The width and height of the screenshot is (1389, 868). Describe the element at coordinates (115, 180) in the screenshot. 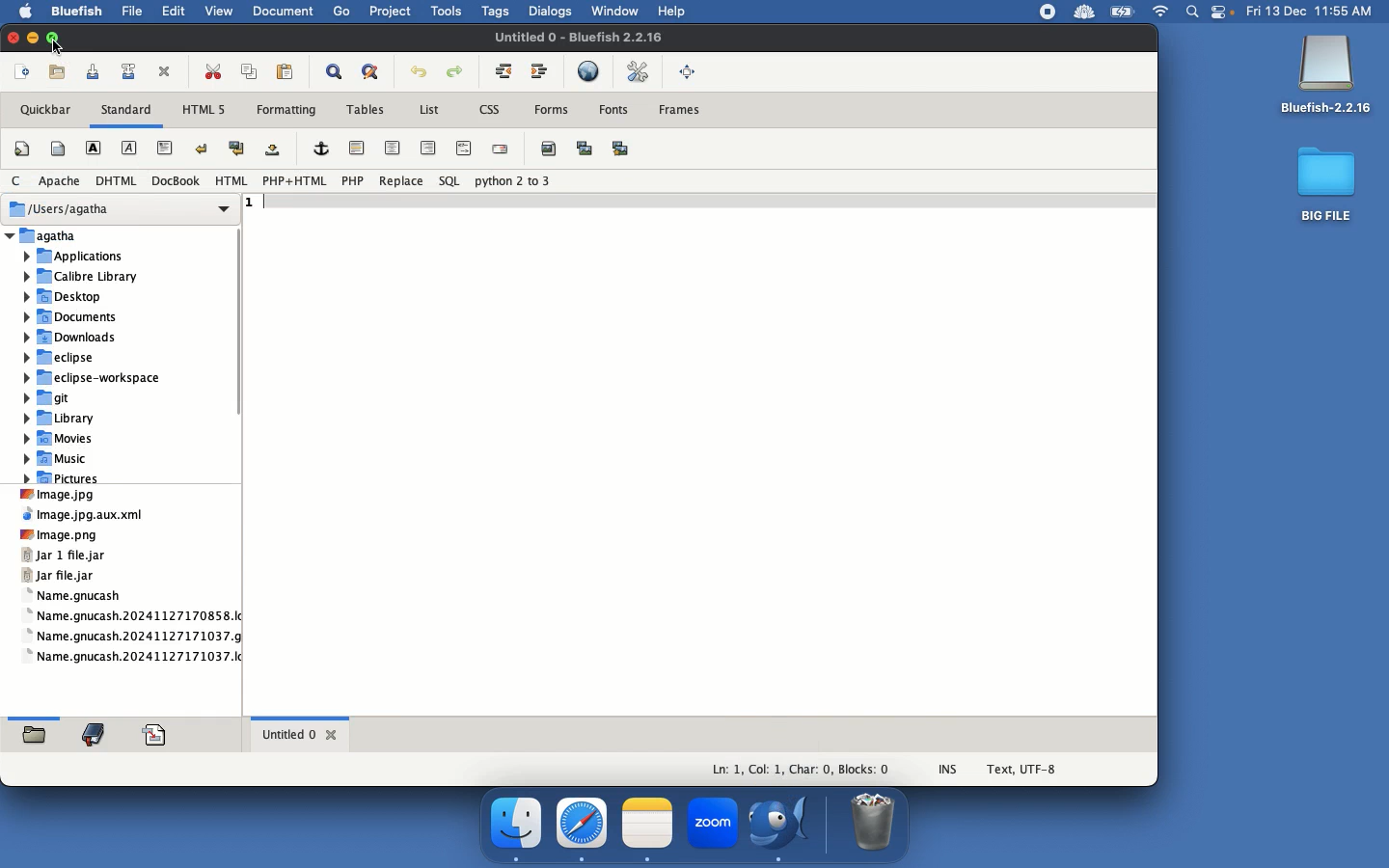

I see `DHTML` at that location.